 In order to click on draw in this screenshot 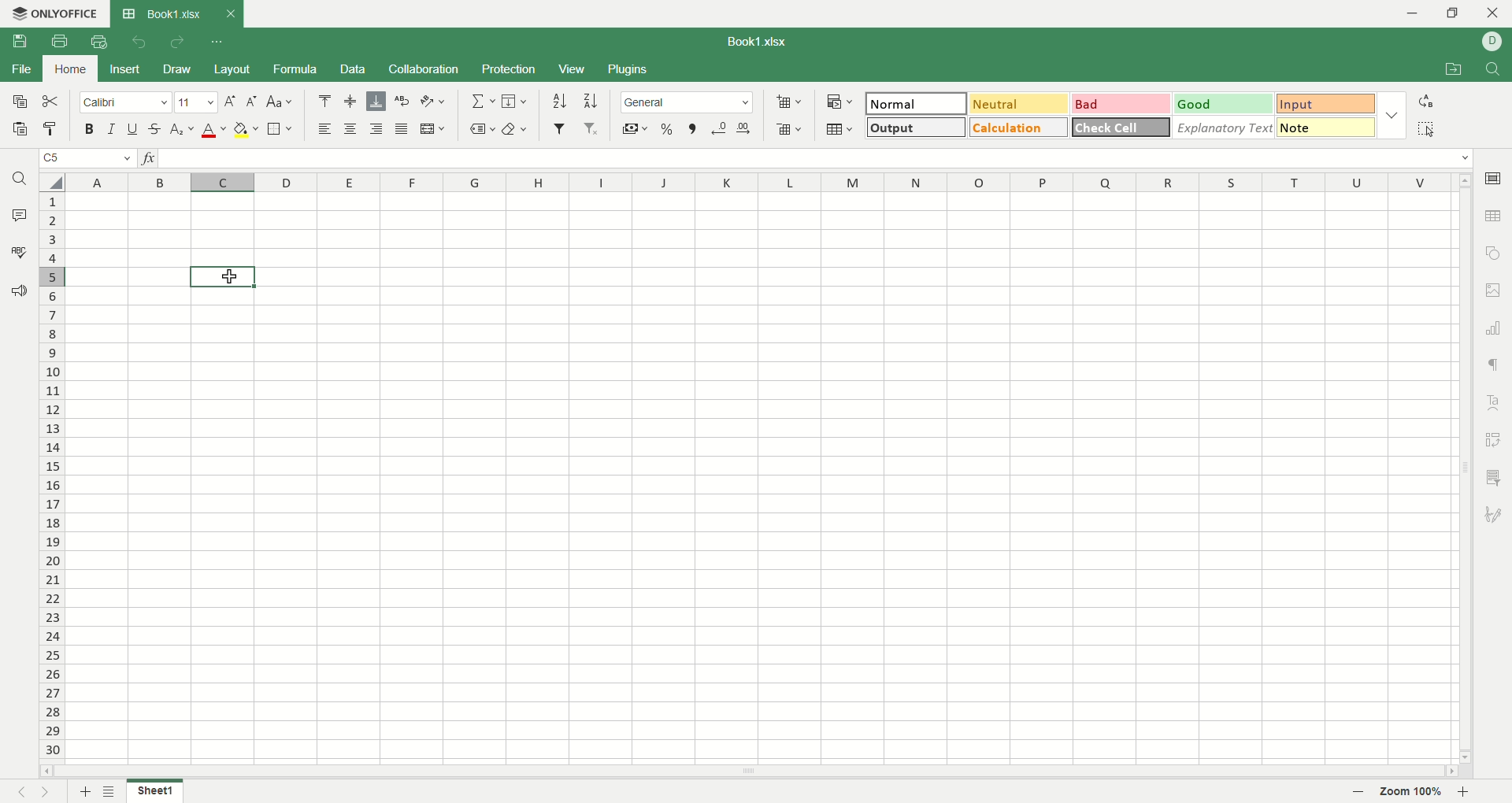, I will do `click(179, 70)`.